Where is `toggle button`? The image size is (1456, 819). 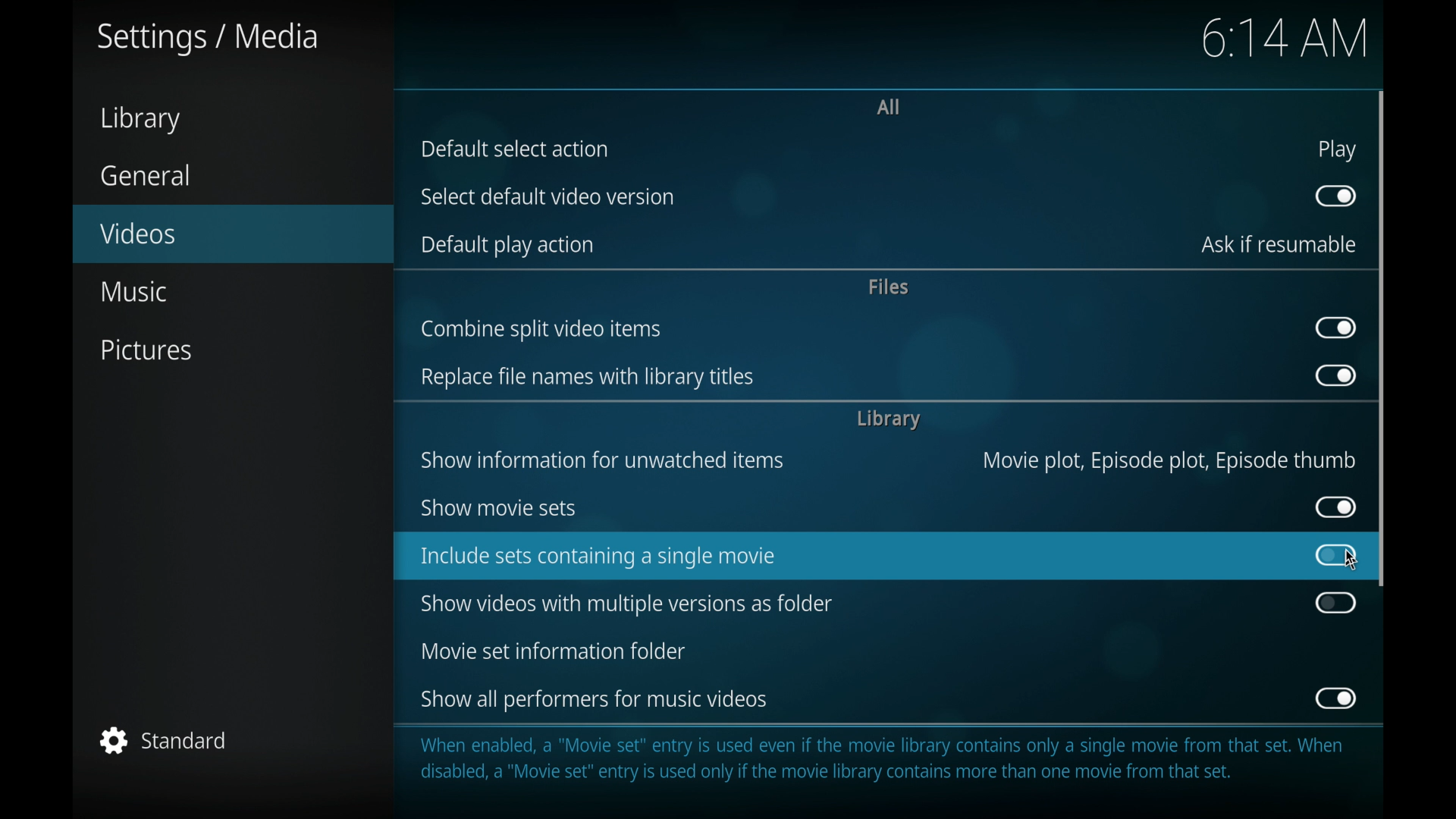
toggle button is located at coordinates (1336, 196).